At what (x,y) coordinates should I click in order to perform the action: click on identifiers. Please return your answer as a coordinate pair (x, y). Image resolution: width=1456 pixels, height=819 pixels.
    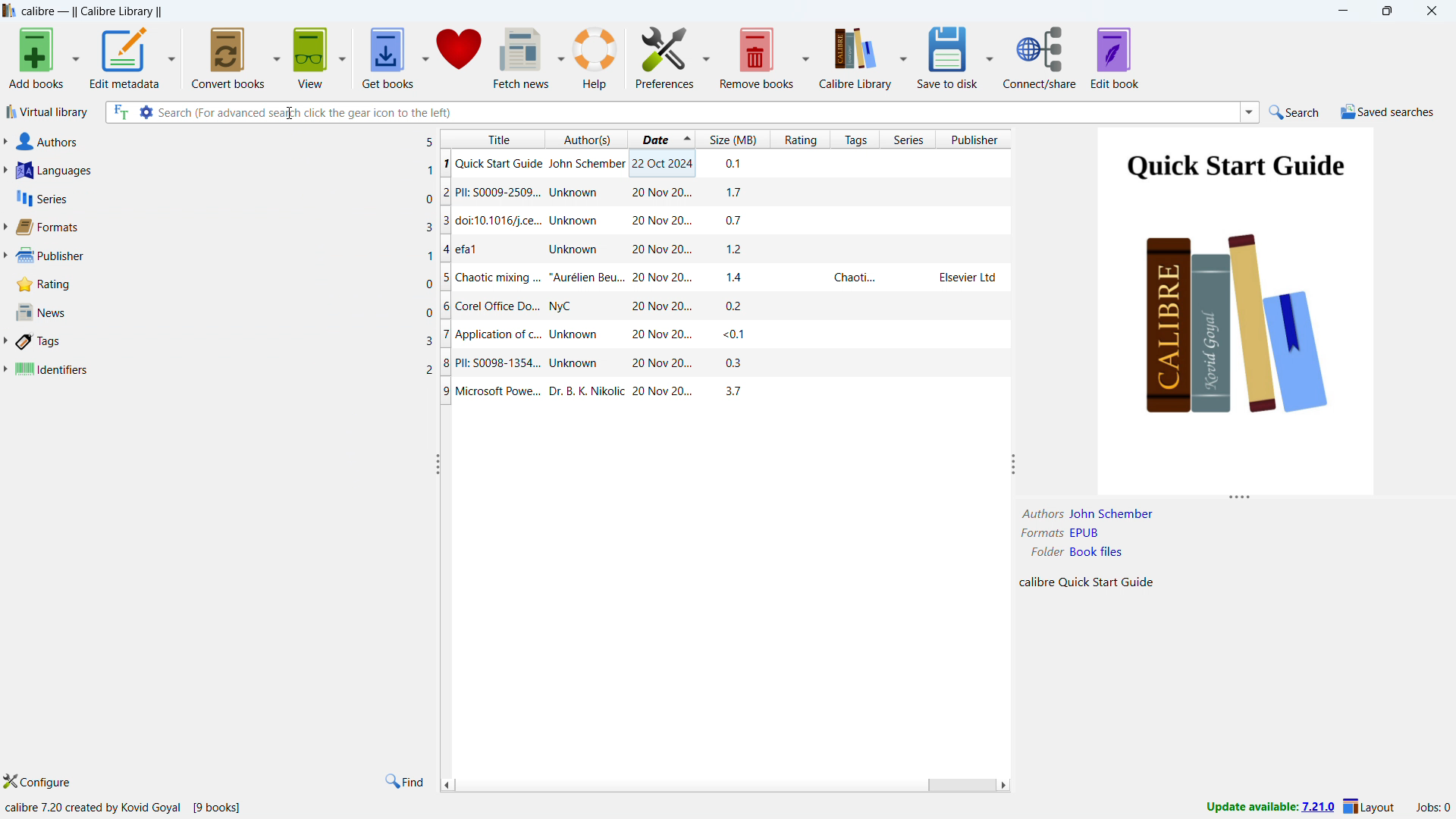
    Looking at the image, I should click on (224, 370).